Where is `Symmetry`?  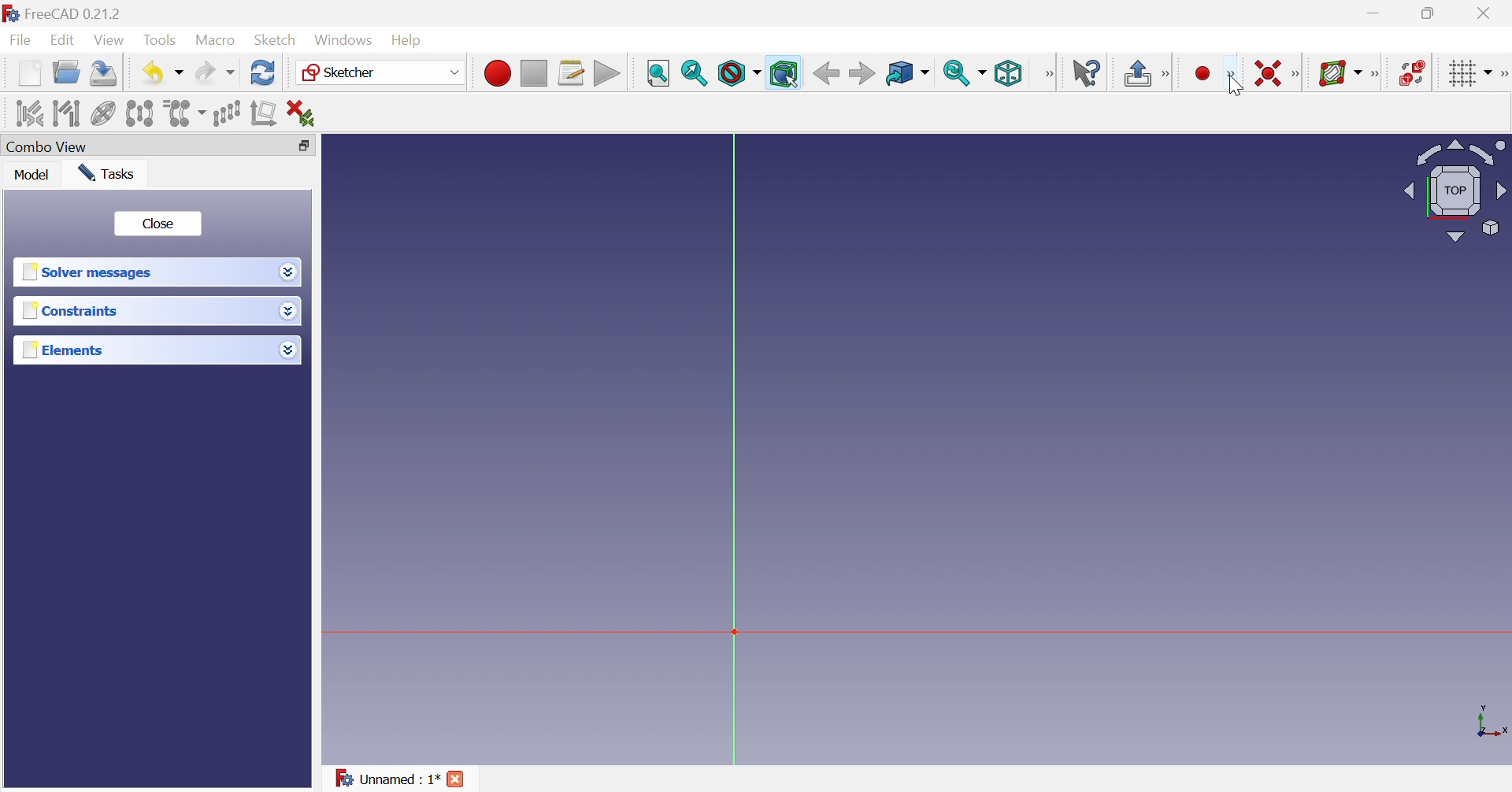
Symmetry is located at coordinates (140, 114).